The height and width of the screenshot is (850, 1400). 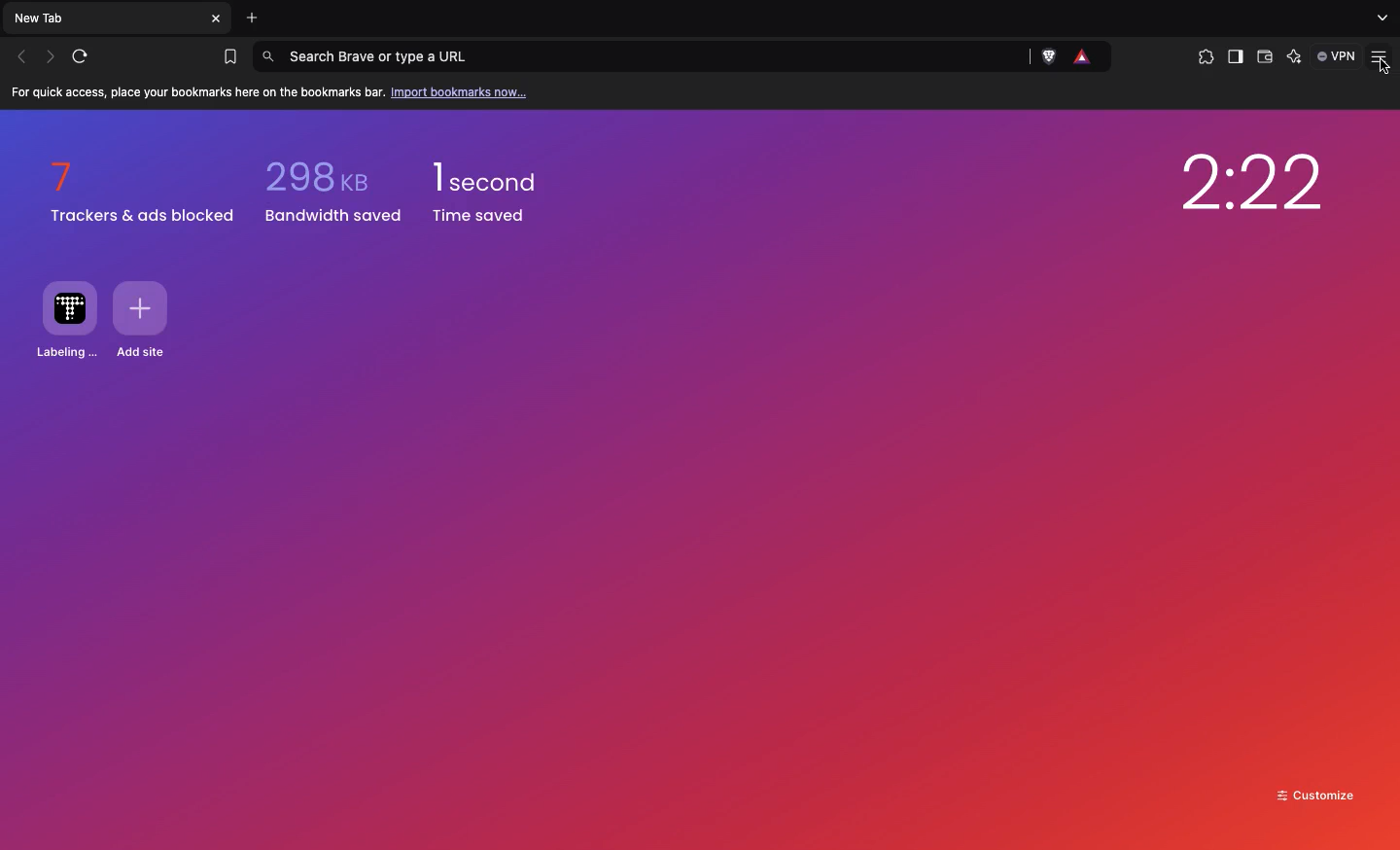 What do you see at coordinates (1320, 795) in the screenshot?
I see `Customize` at bounding box center [1320, 795].